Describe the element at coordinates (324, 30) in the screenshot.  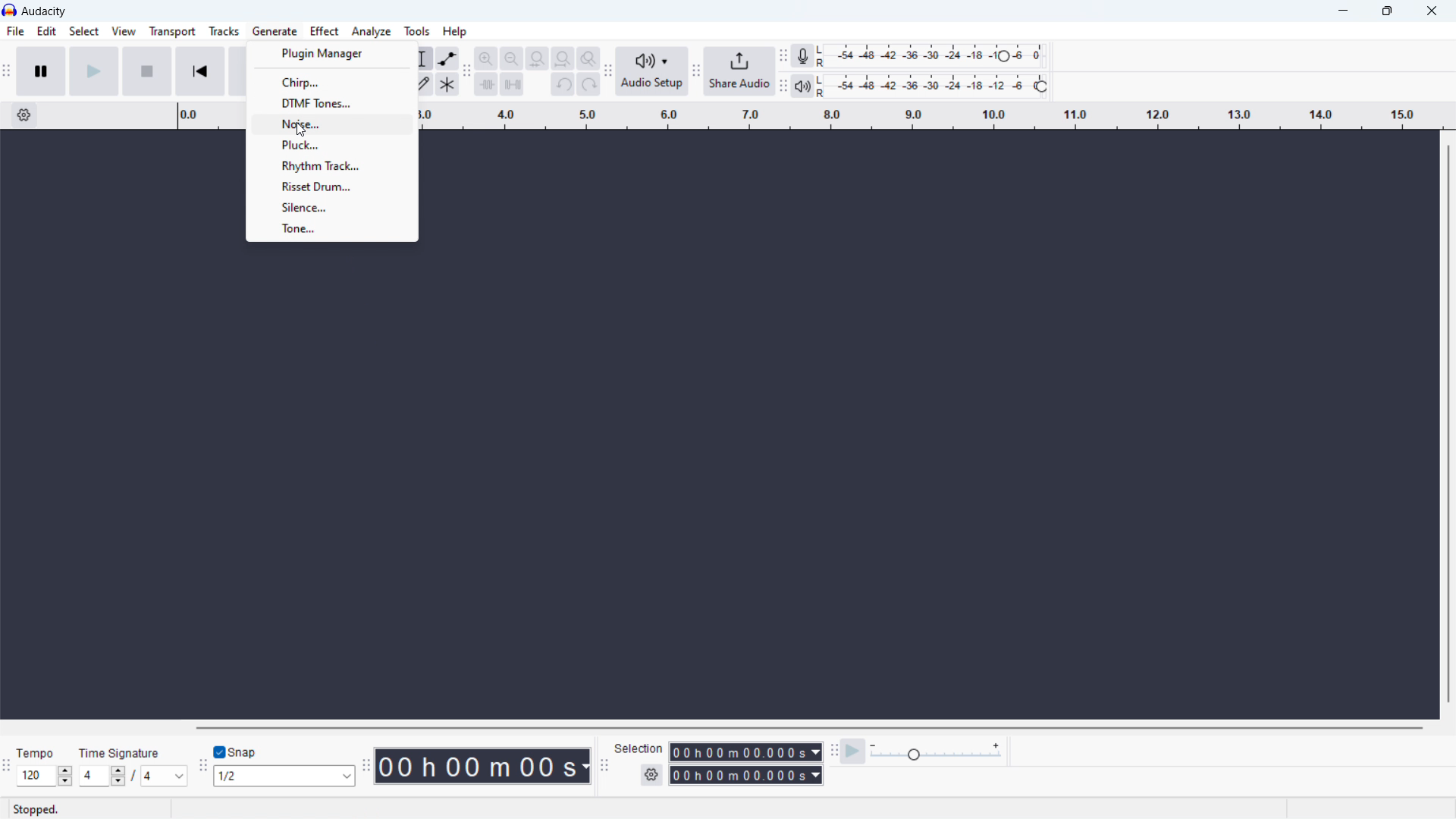
I see `Effect` at that location.